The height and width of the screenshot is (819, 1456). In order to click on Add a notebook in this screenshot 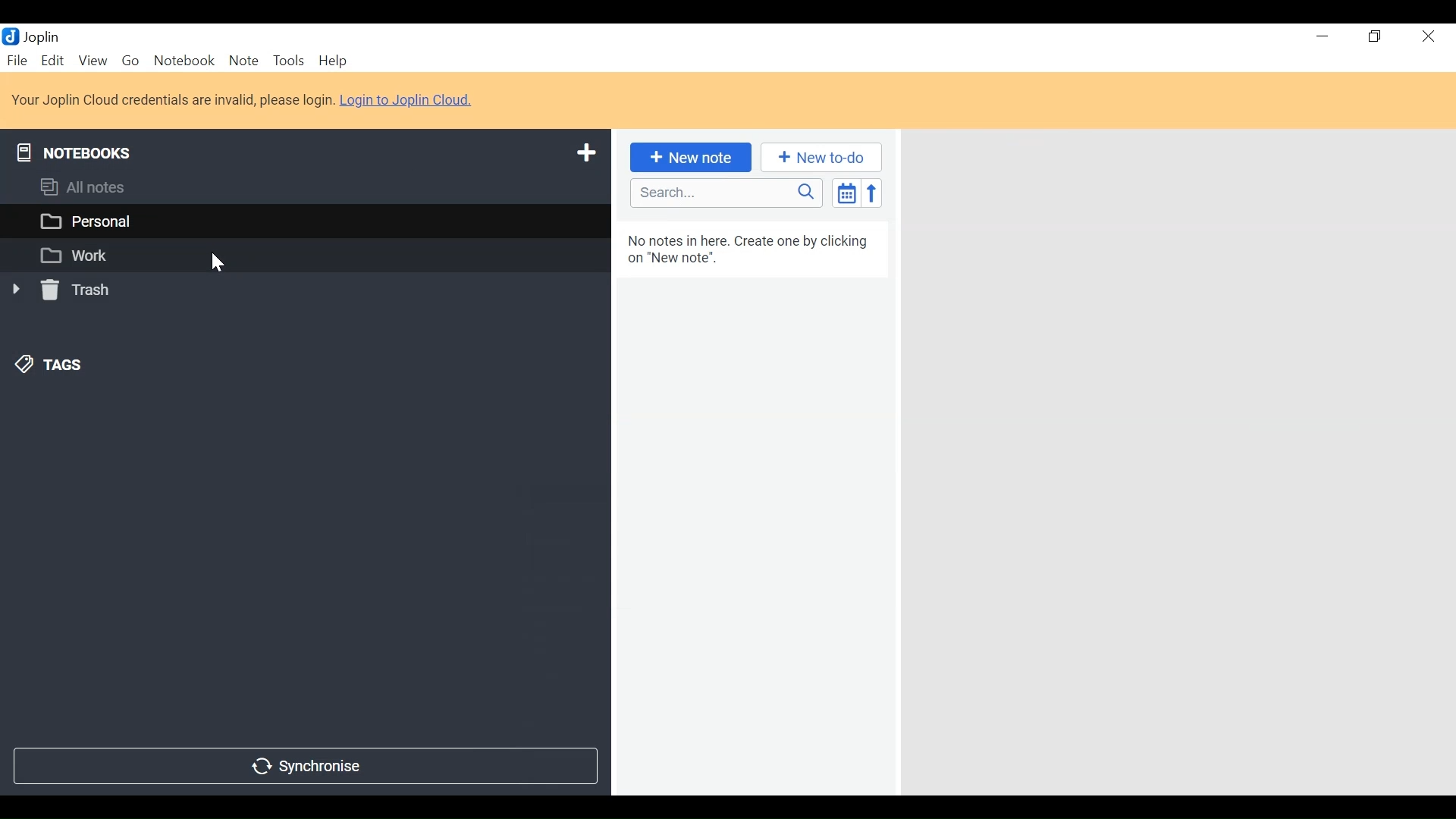, I will do `click(584, 153)`.